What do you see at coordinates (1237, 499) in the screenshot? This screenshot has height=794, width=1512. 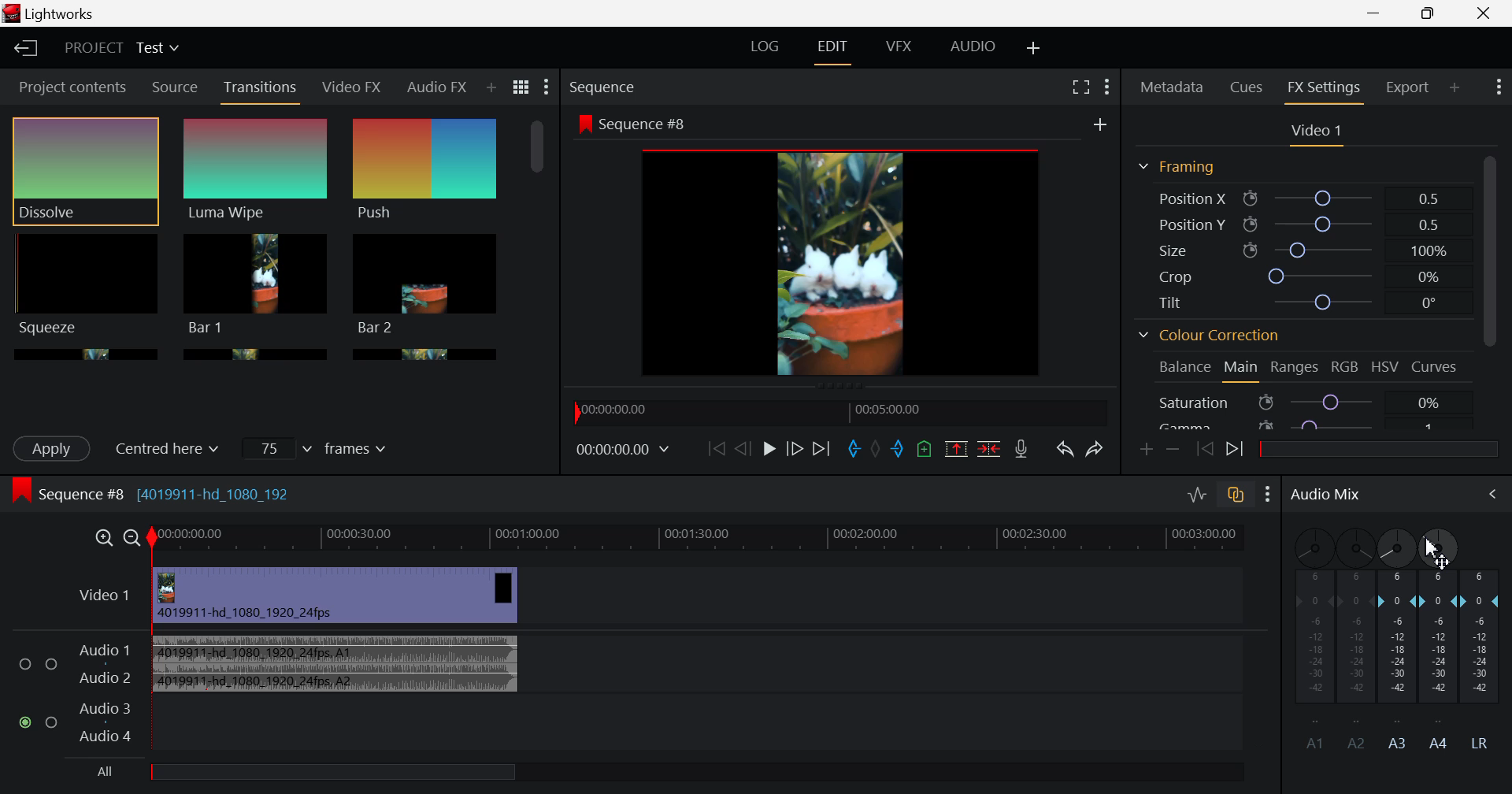 I see `toggle auto track sync` at bounding box center [1237, 499].